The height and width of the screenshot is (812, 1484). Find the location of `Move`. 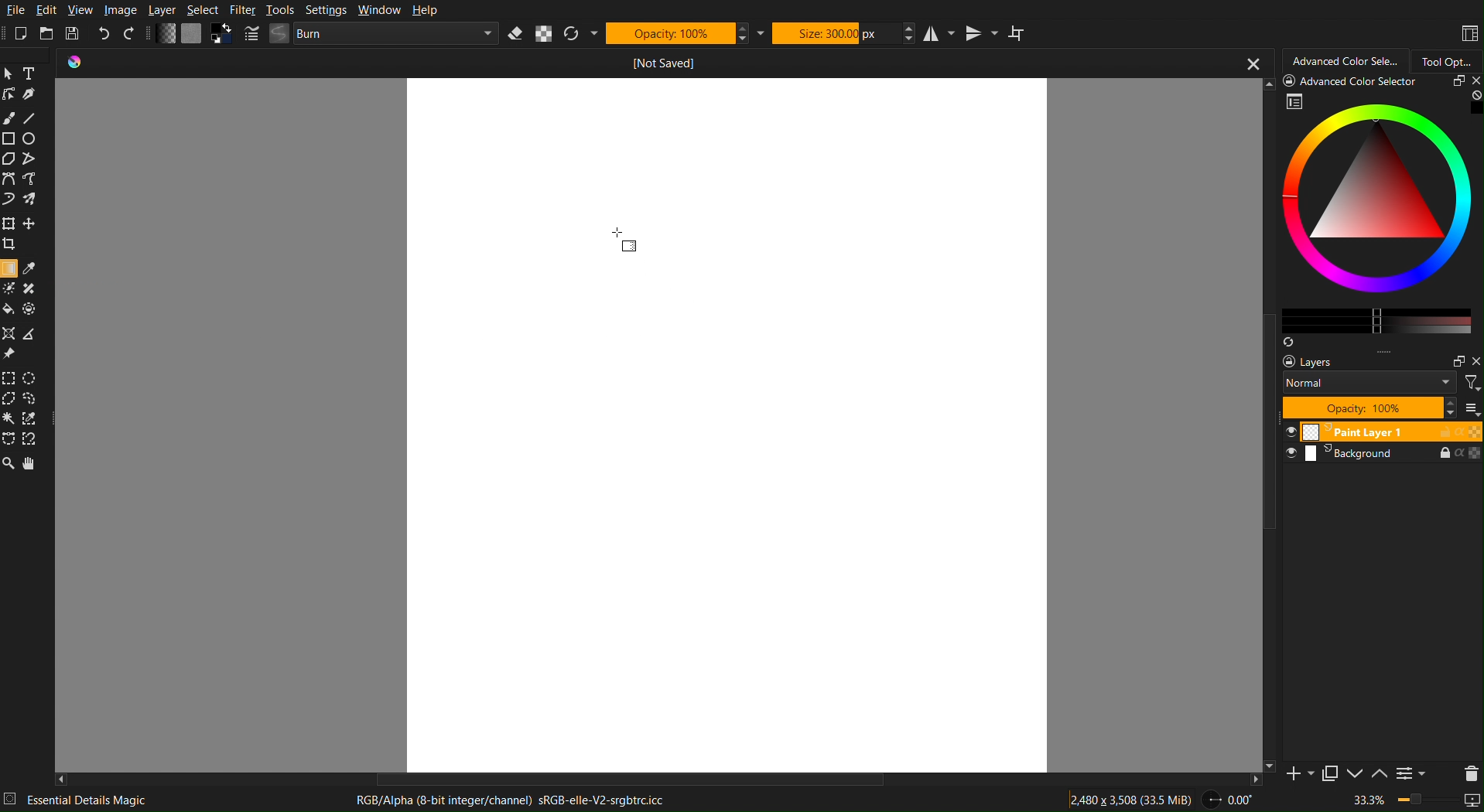

Move is located at coordinates (34, 464).